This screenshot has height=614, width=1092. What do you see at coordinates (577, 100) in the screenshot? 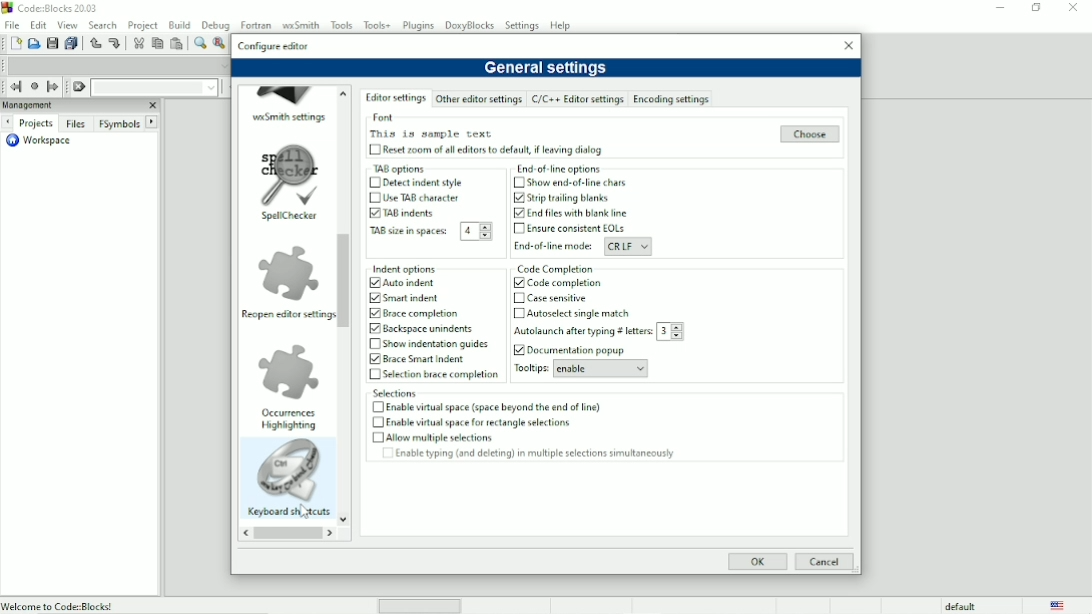
I see `C/C++ Editor Settings` at bounding box center [577, 100].